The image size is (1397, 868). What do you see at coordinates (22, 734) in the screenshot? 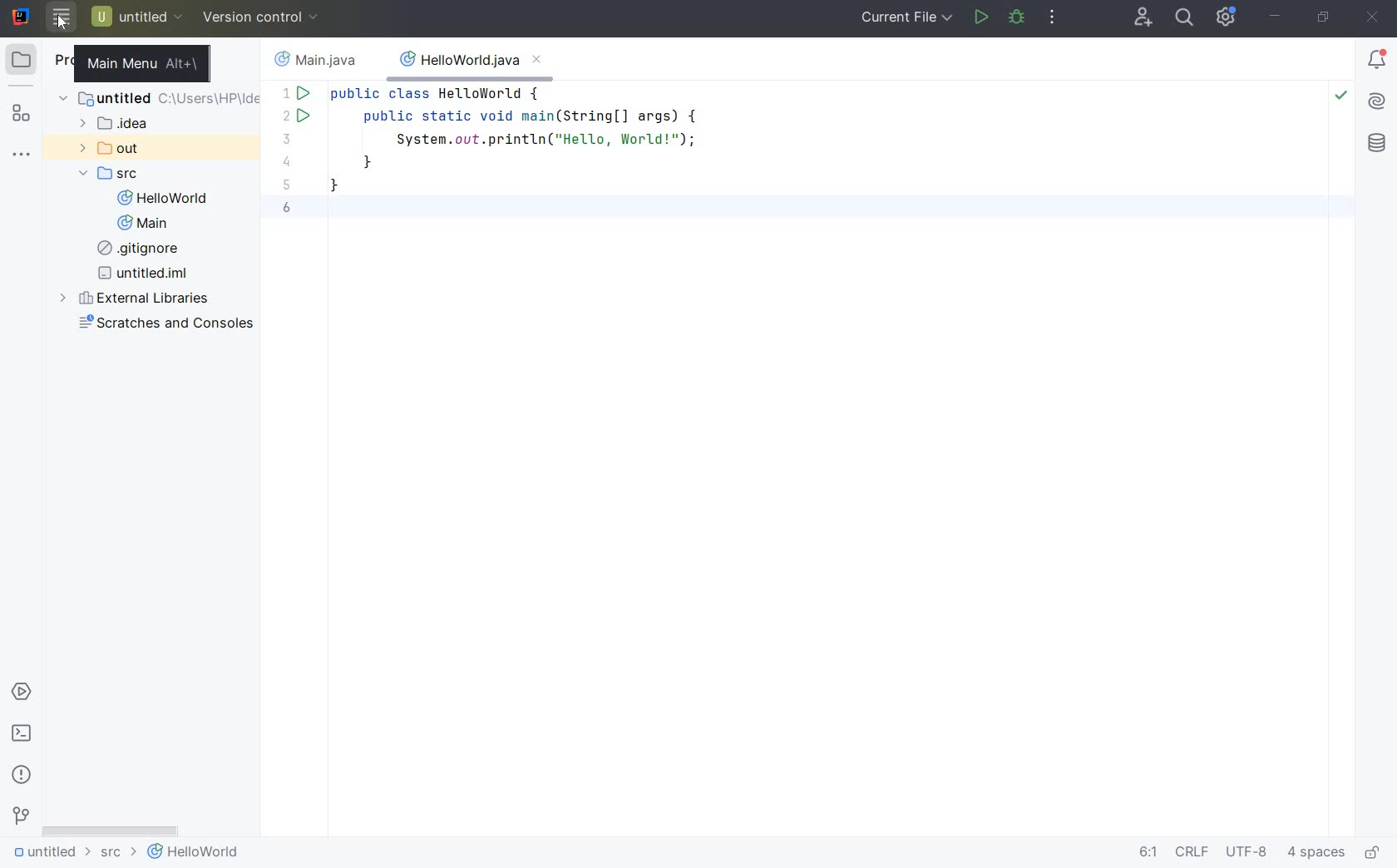
I see `terminal` at bounding box center [22, 734].